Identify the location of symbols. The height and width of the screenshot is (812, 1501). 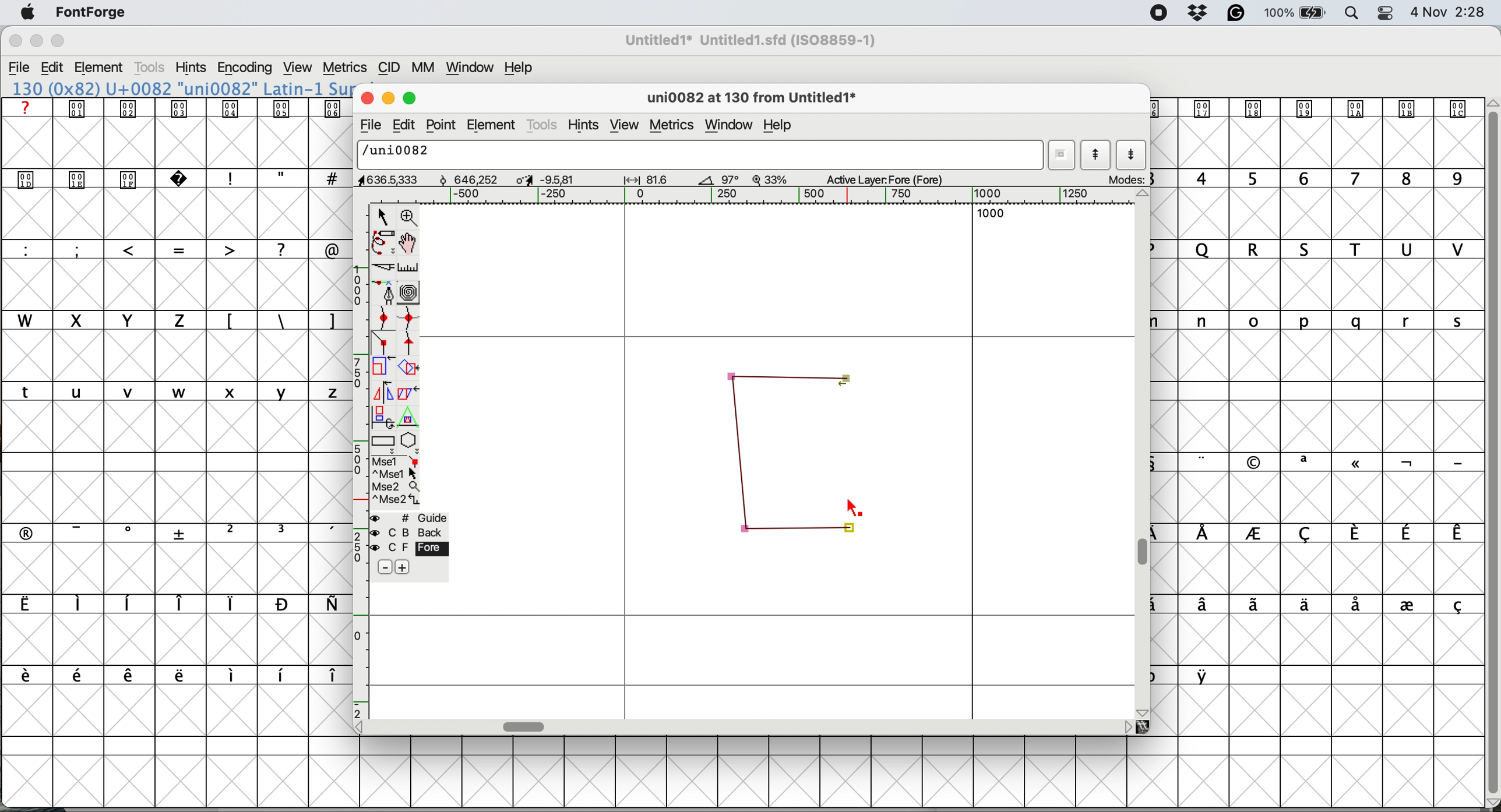
(181, 676).